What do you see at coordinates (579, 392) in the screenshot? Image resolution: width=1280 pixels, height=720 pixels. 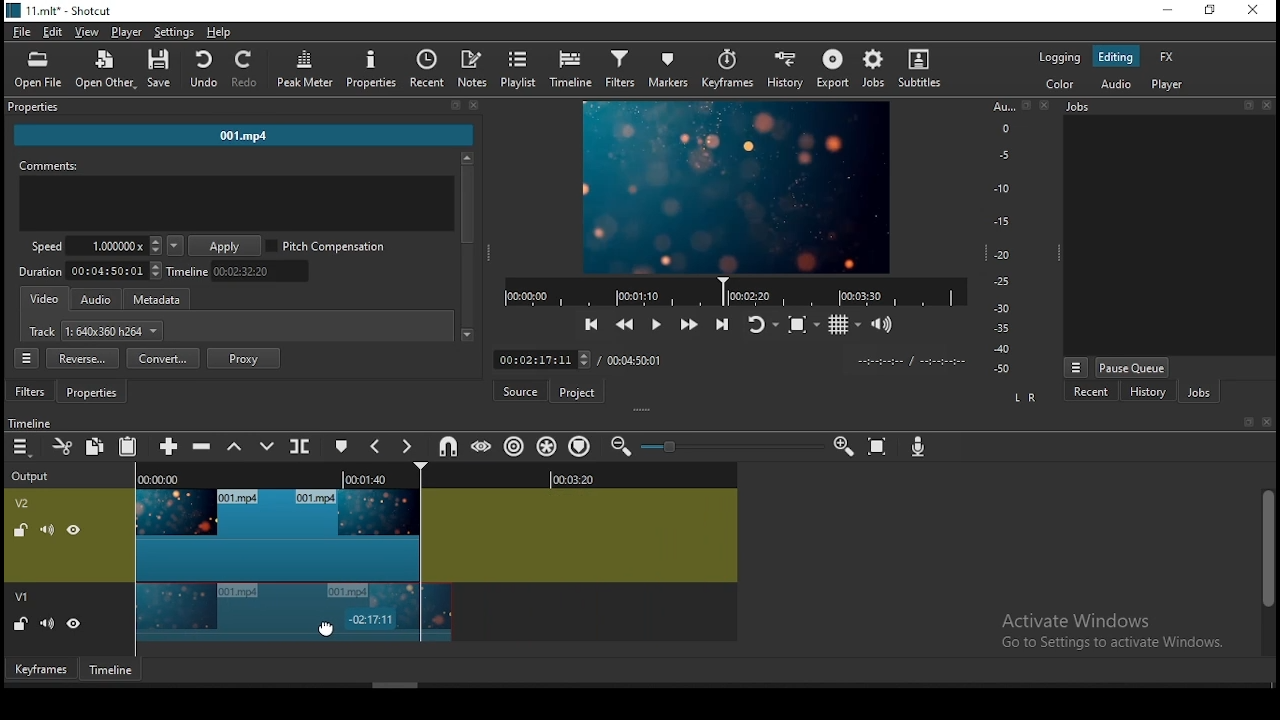 I see `project` at bounding box center [579, 392].